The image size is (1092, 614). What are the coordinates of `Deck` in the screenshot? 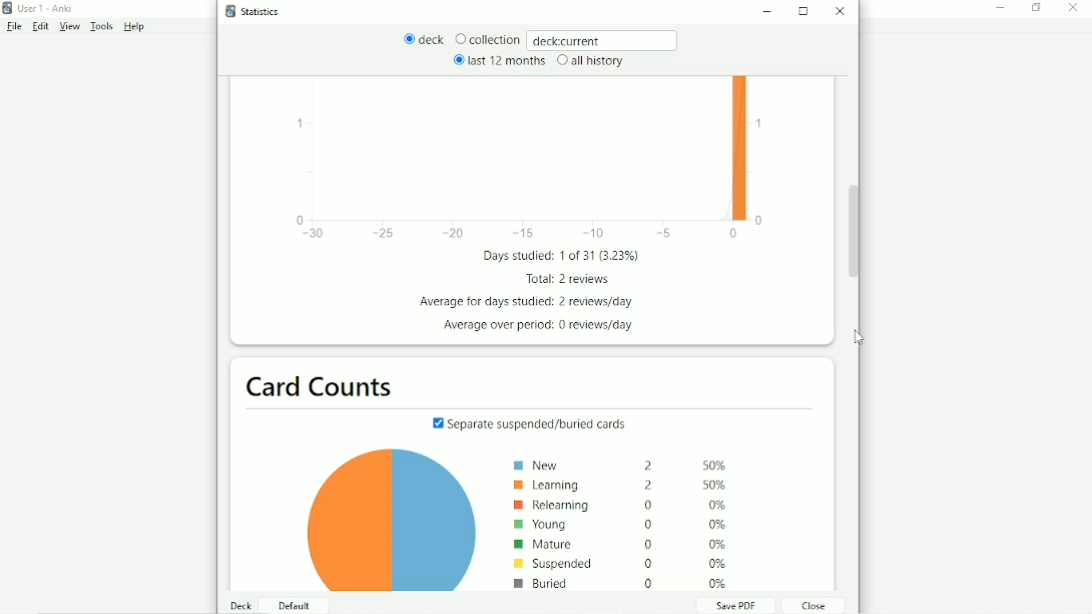 It's located at (242, 605).